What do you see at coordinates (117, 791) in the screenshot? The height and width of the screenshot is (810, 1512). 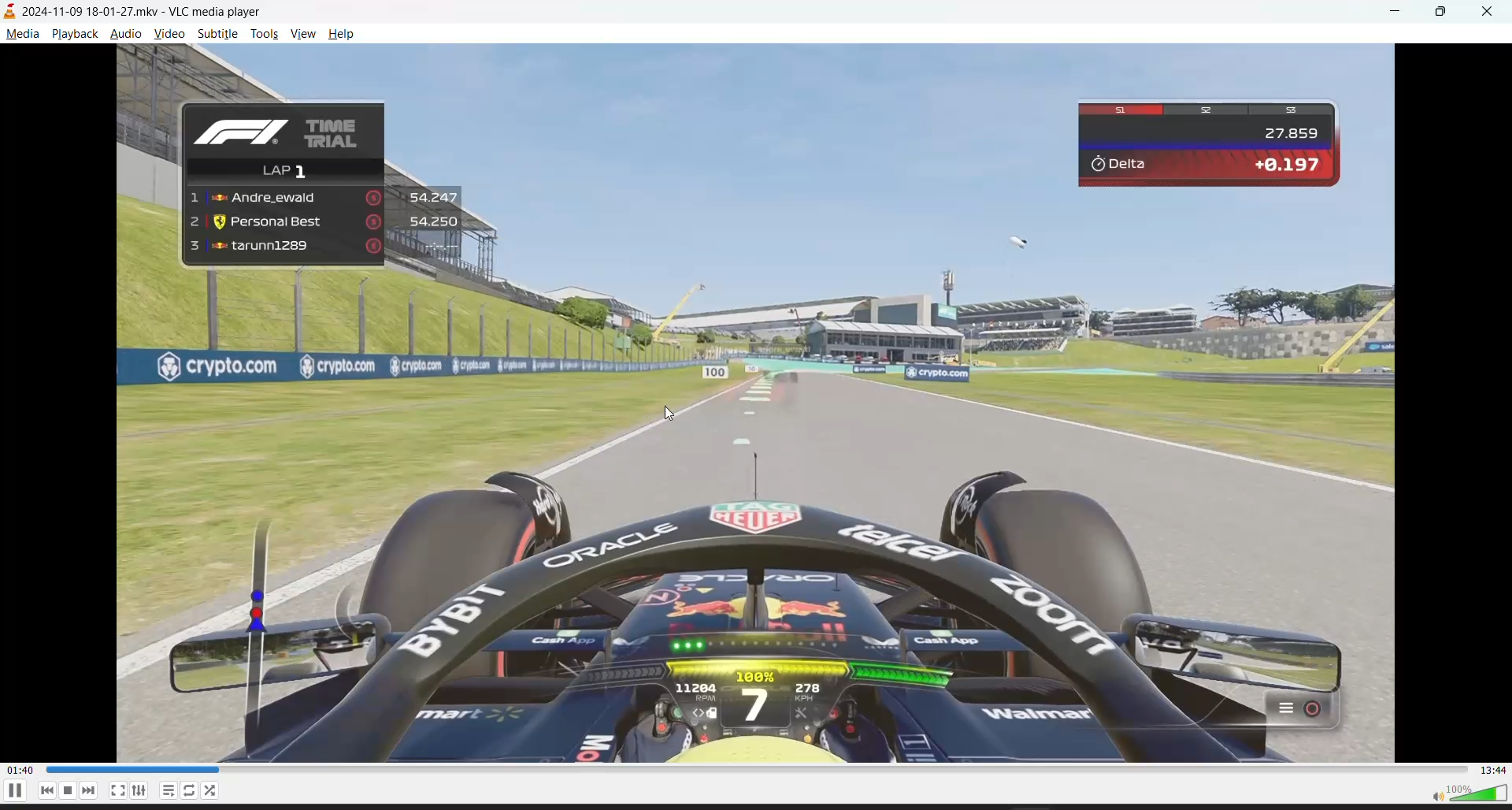 I see `fullscreen` at bounding box center [117, 791].